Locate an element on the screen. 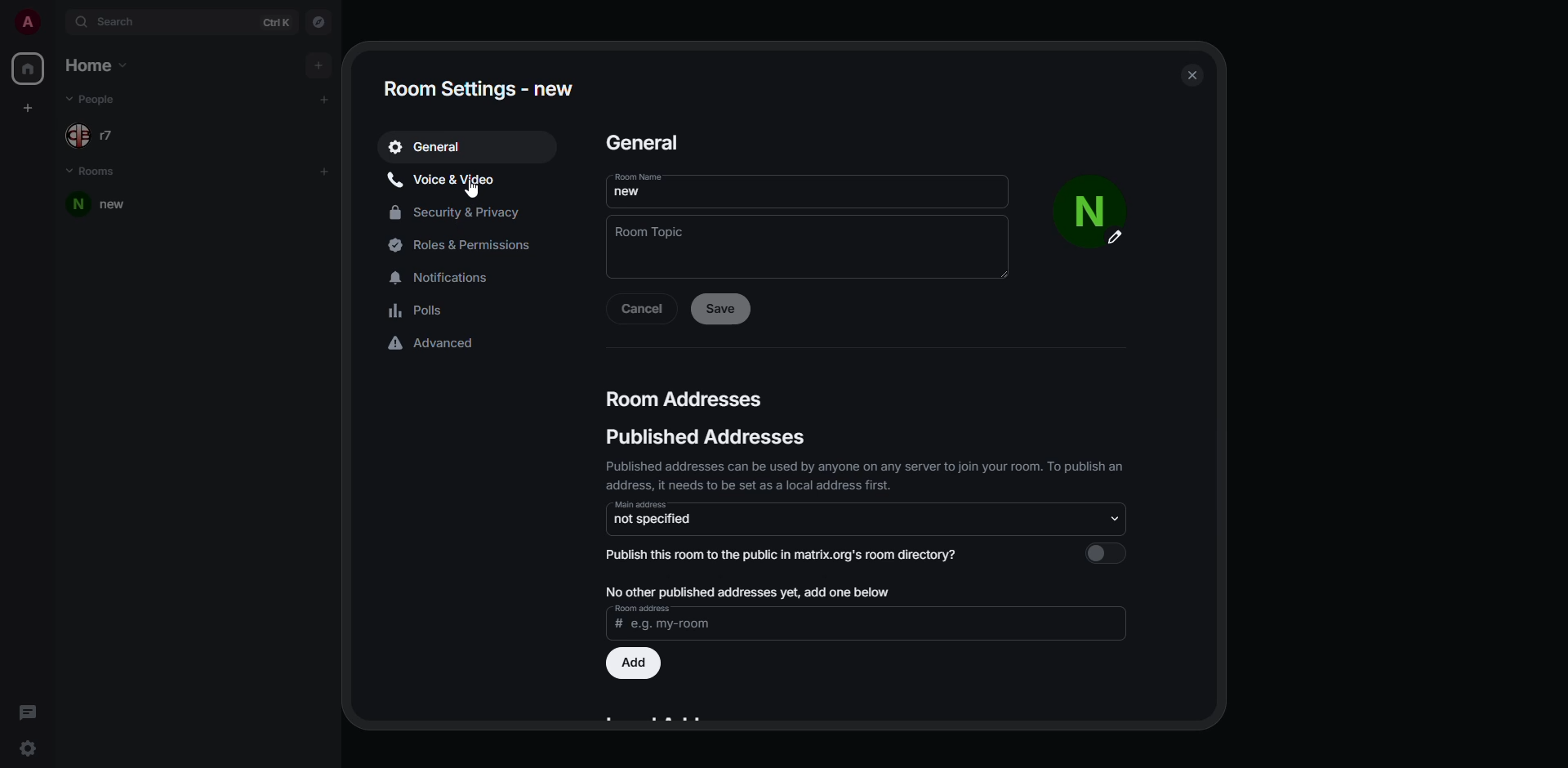 This screenshot has height=768, width=1568. room options is located at coordinates (333, 206).